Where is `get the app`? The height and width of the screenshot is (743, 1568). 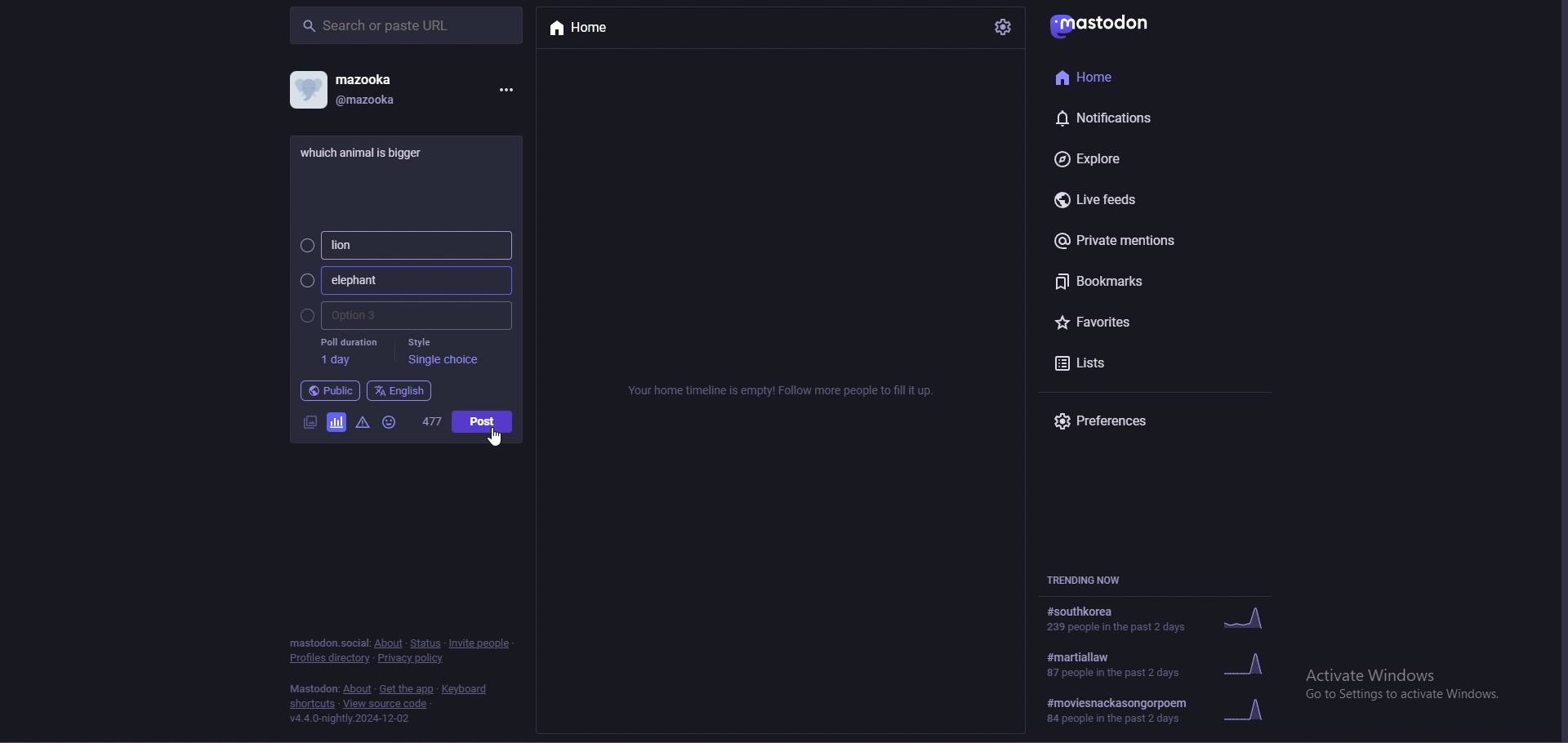
get the app is located at coordinates (406, 689).